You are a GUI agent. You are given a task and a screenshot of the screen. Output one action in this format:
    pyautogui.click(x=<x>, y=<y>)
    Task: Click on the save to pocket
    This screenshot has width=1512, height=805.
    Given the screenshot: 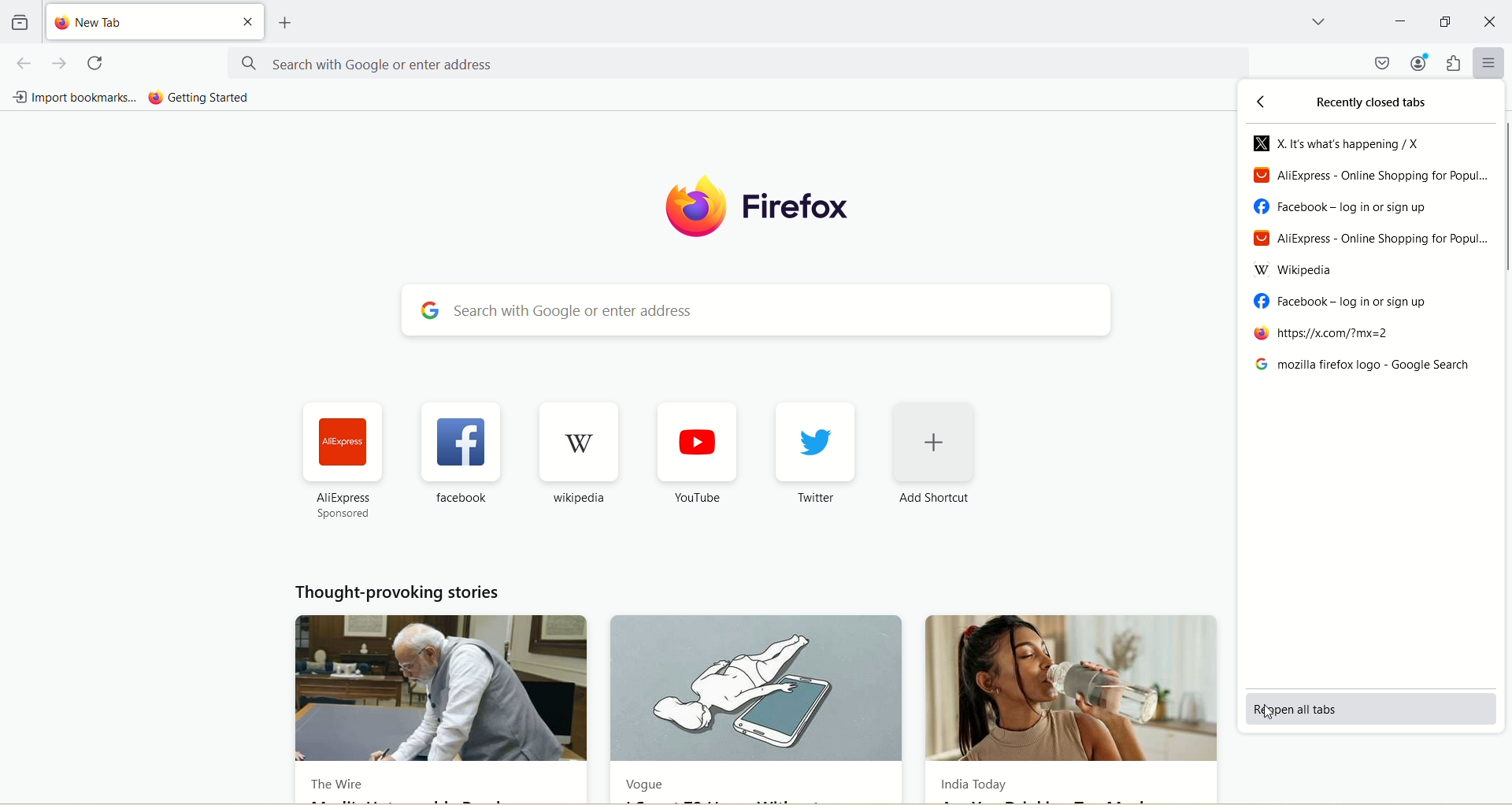 What is the action you would take?
    pyautogui.click(x=1382, y=63)
    